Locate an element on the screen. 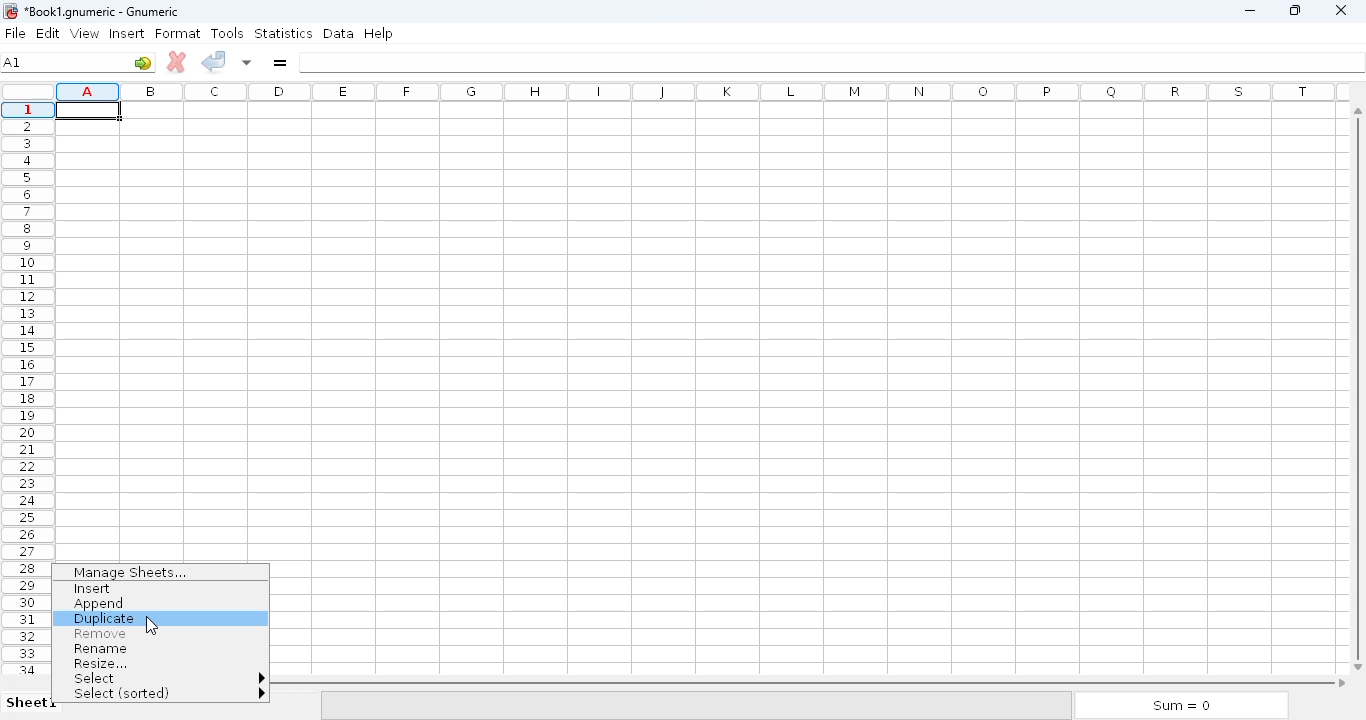 This screenshot has height=720, width=1366. Cells is located at coordinates (696, 336).